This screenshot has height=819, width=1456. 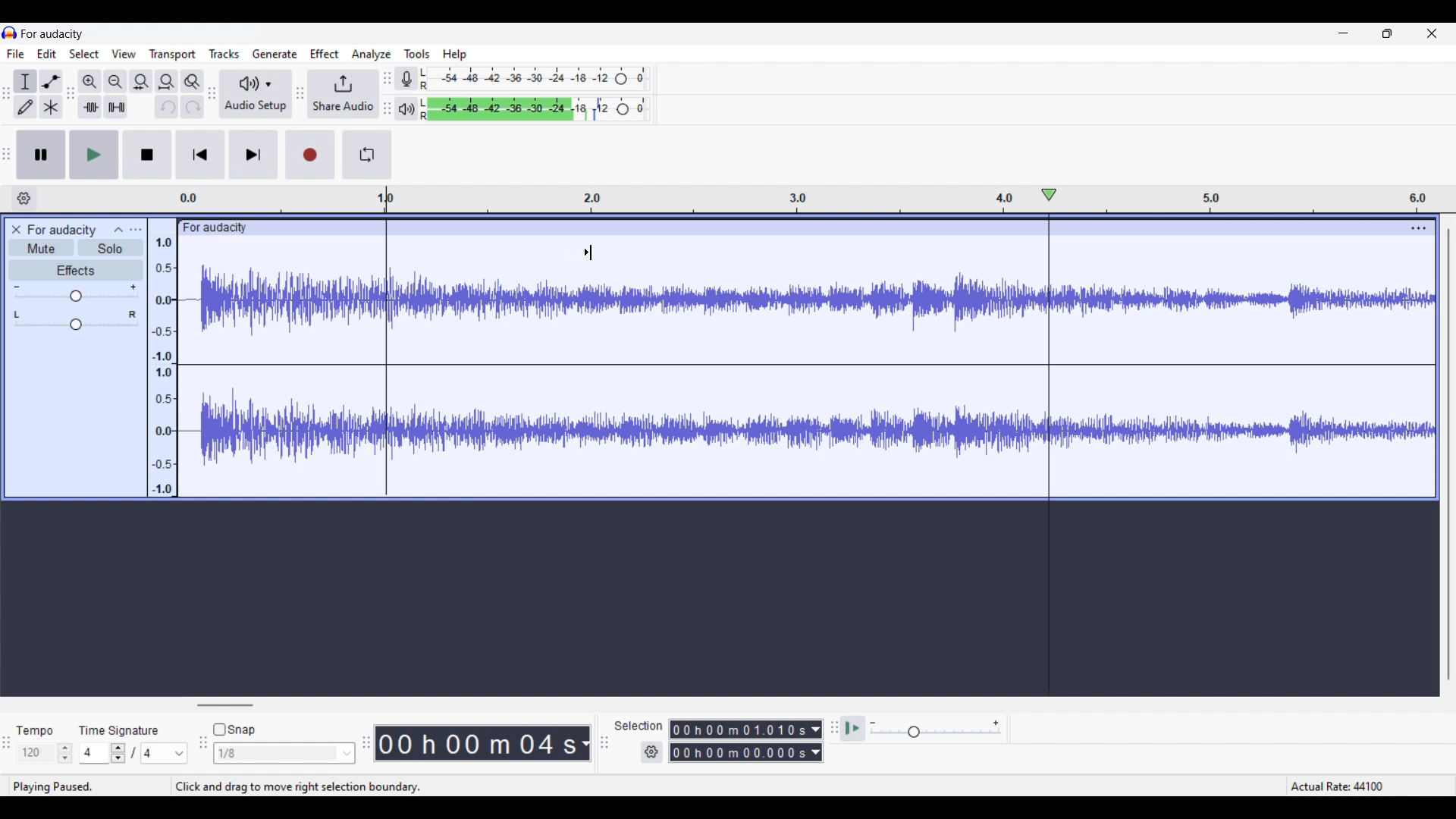 What do you see at coordinates (1419, 228) in the screenshot?
I see `Track settings` at bounding box center [1419, 228].